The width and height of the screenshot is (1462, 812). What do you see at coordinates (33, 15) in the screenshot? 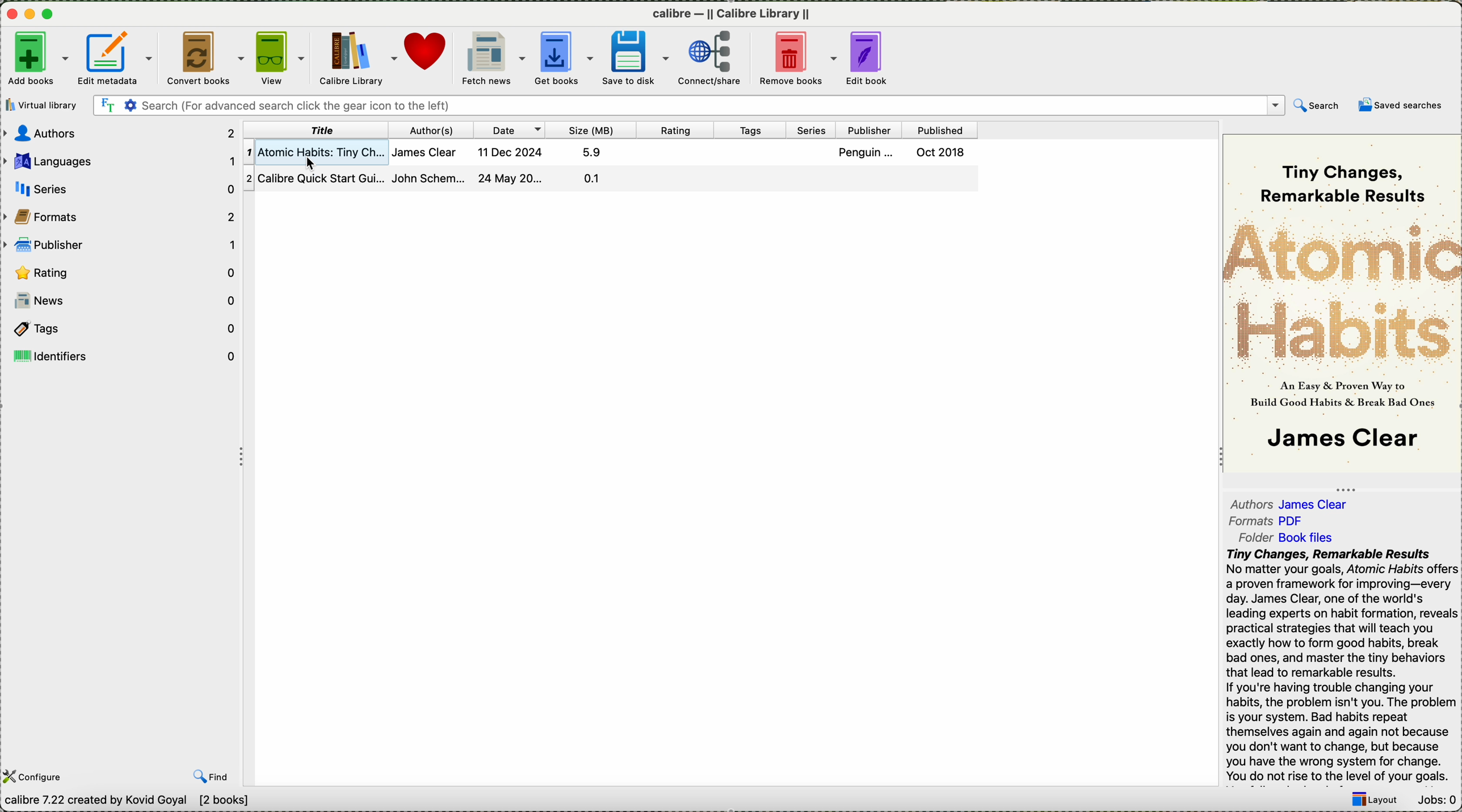
I see `minimize` at bounding box center [33, 15].